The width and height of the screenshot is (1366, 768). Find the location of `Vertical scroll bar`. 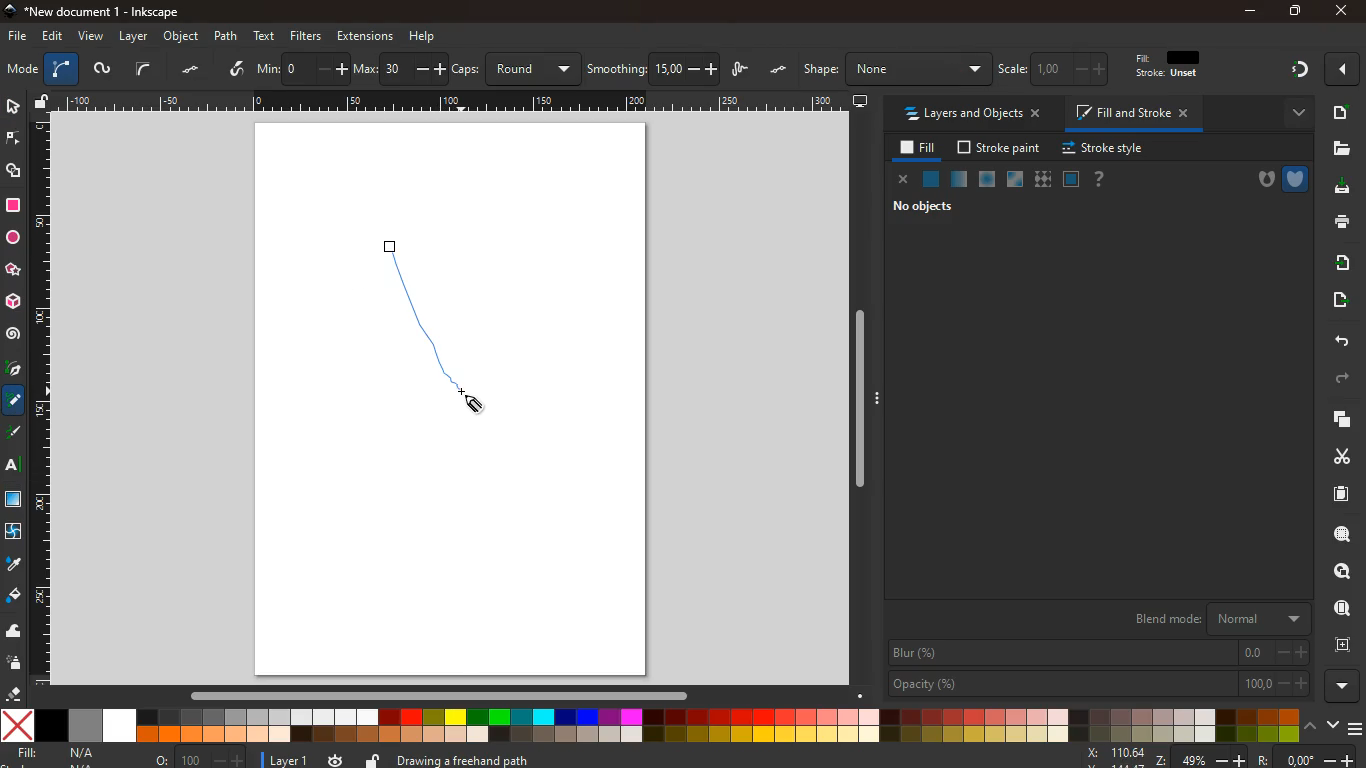

Vertical scroll bar is located at coordinates (855, 399).